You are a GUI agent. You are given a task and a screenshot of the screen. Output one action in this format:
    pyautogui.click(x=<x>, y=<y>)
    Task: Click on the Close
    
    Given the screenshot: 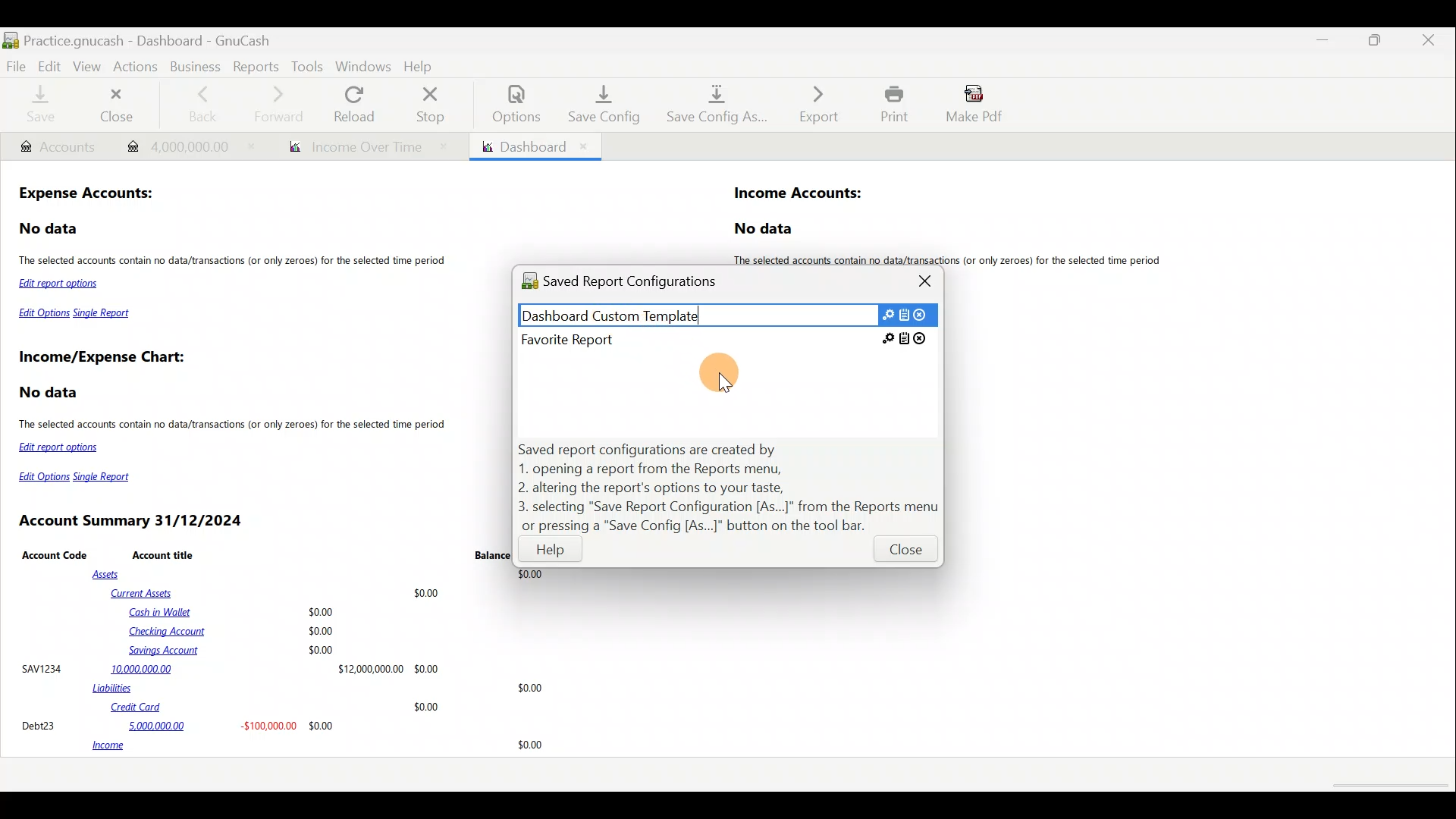 What is the action you would take?
    pyautogui.click(x=120, y=105)
    